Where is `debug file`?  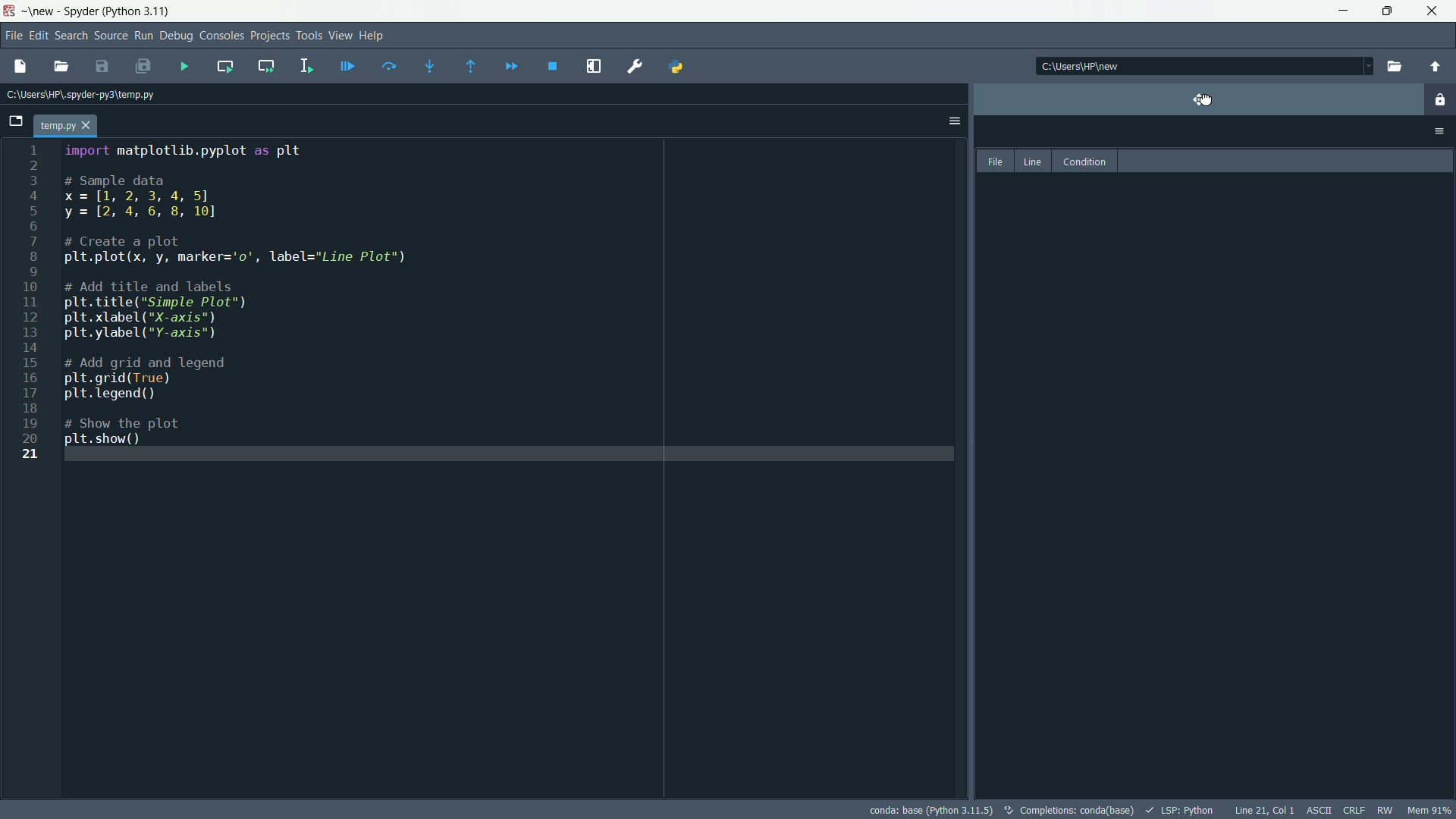
debug file is located at coordinates (348, 64).